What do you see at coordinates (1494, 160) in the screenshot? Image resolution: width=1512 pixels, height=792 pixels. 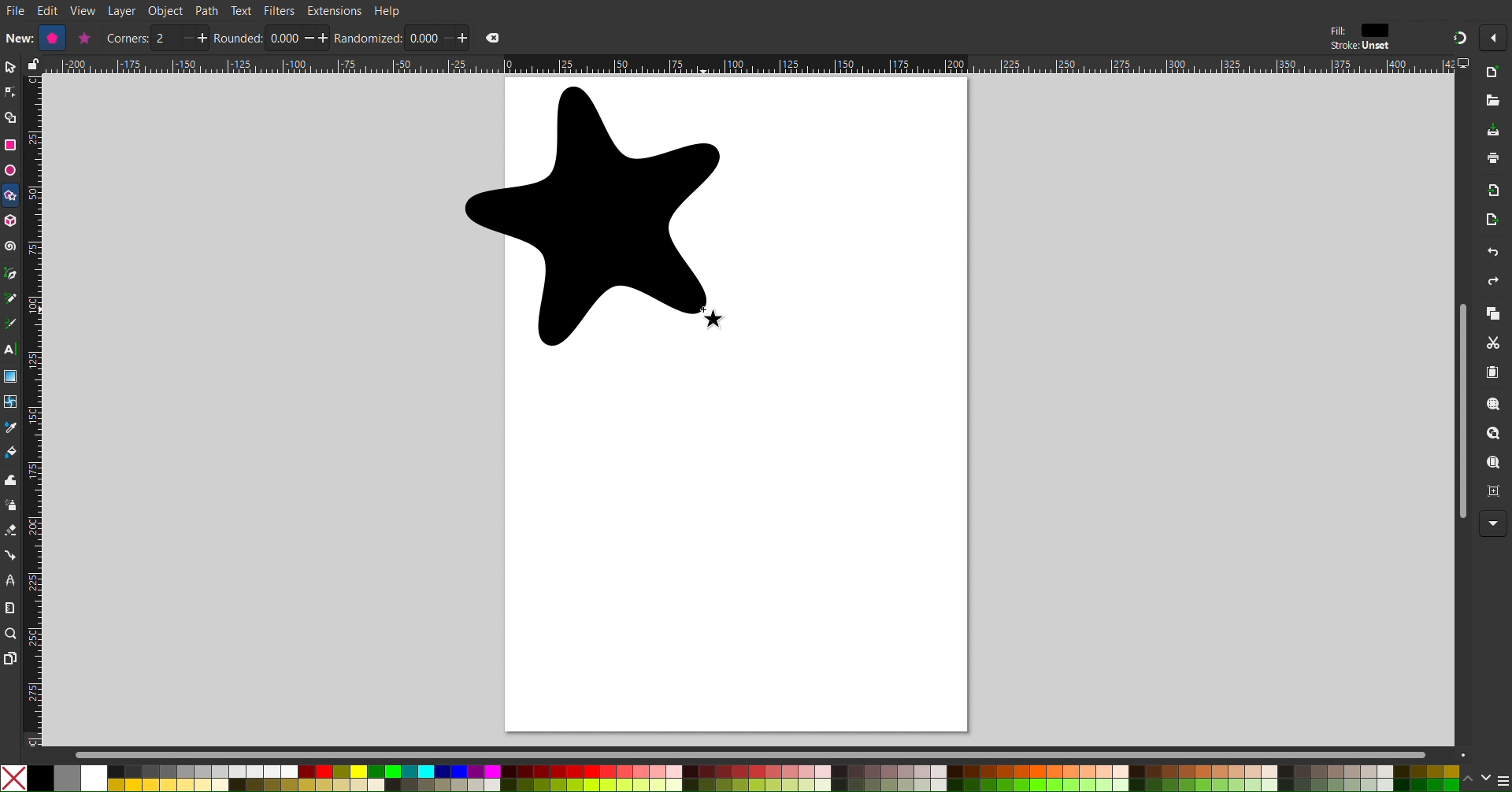 I see `Print` at bounding box center [1494, 160].